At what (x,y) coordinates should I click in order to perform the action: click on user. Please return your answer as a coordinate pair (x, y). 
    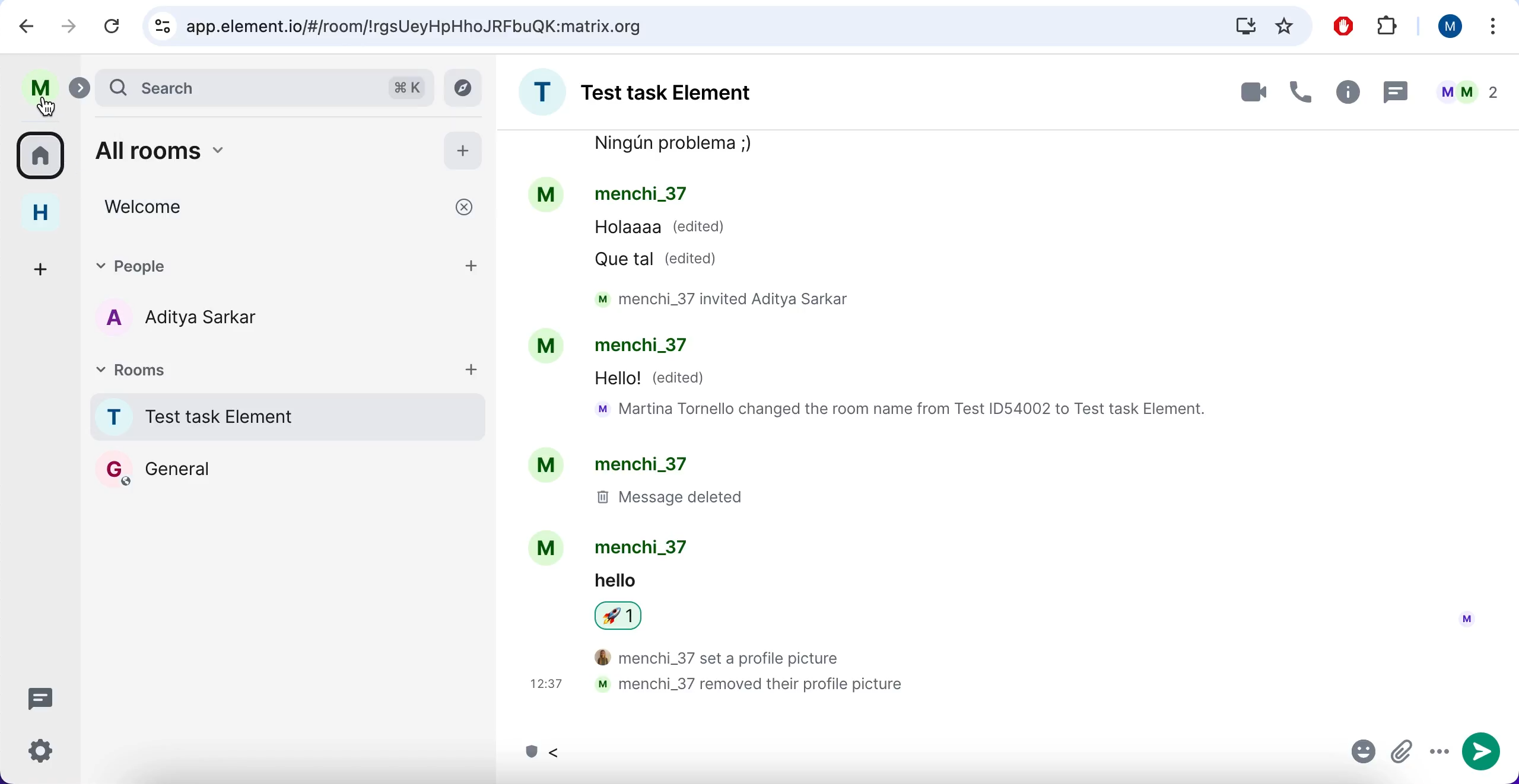
    Looking at the image, I should click on (40, 85).